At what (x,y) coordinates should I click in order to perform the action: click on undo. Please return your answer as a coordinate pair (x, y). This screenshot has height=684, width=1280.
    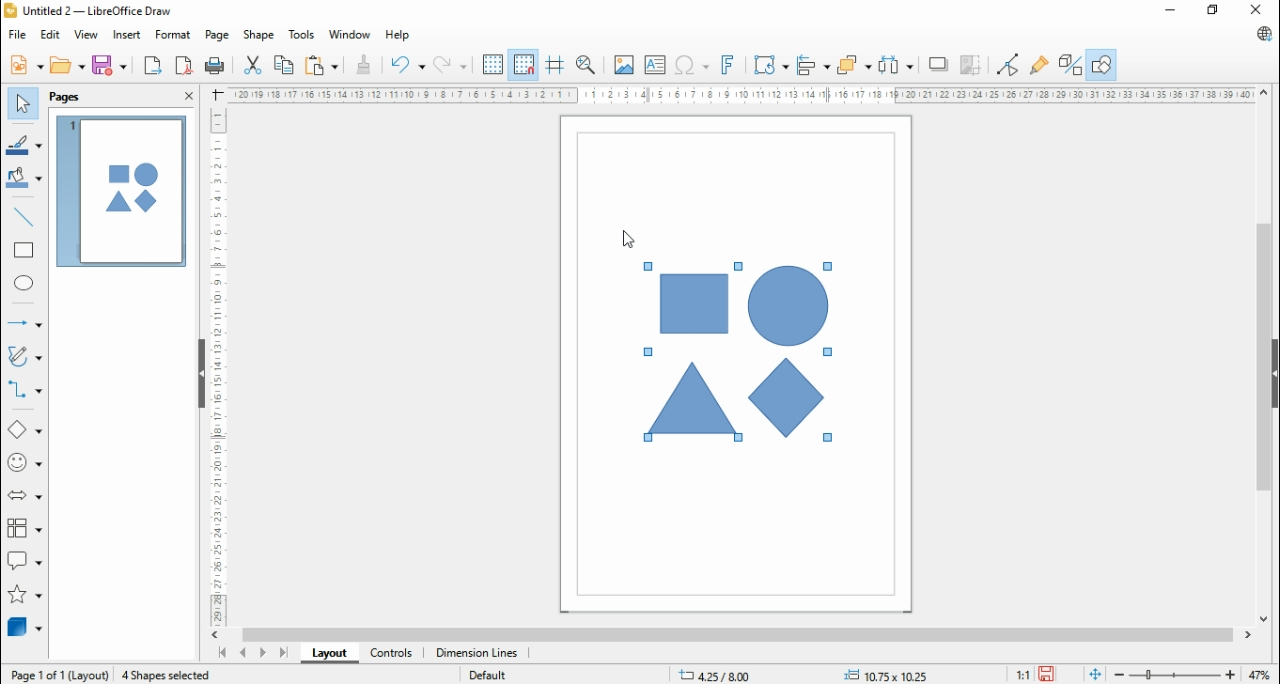
    Looking at the image, I should click on (408, 66).